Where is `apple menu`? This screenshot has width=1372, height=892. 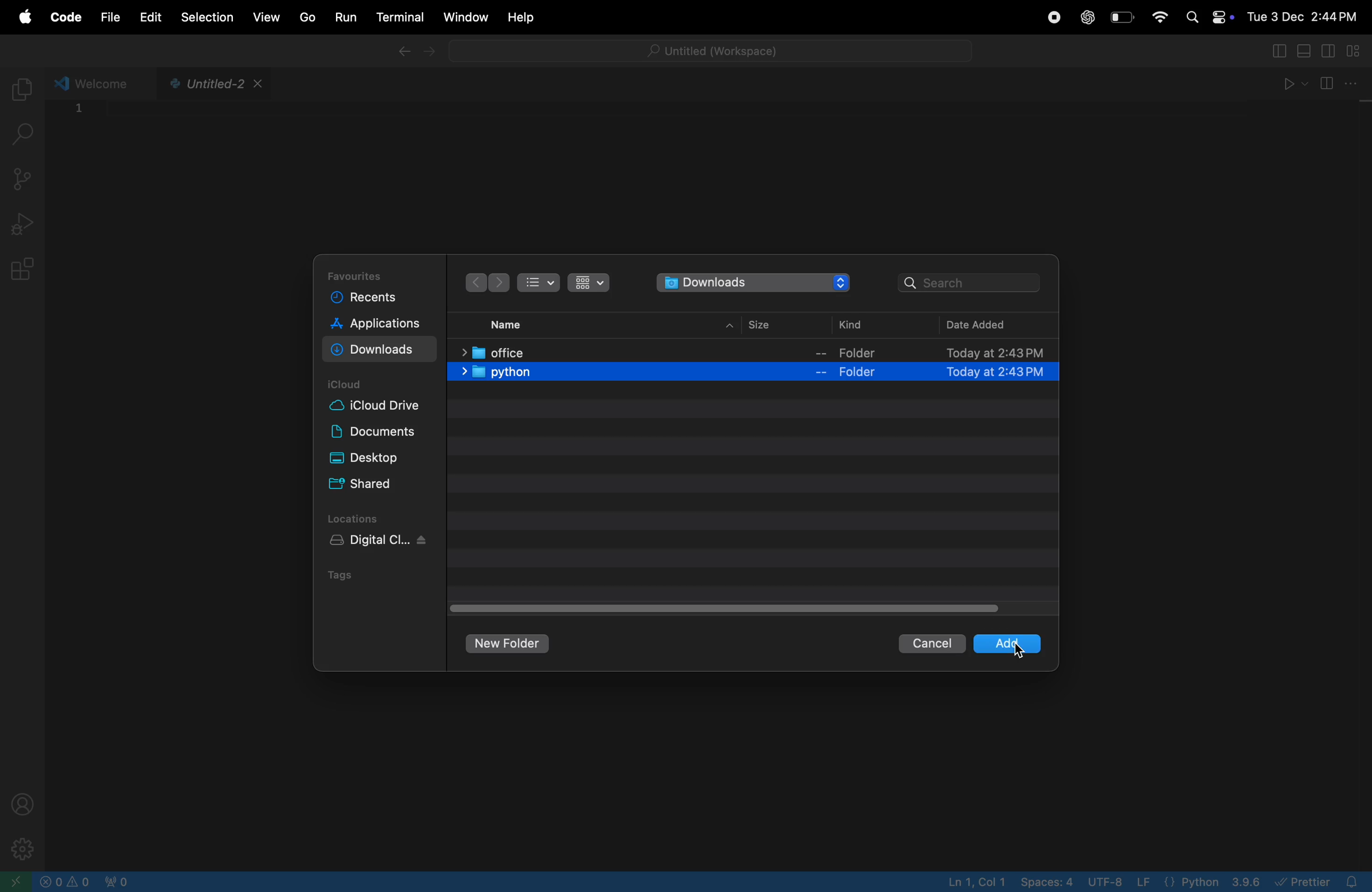
apple menu is located at coordinates (26, 14).